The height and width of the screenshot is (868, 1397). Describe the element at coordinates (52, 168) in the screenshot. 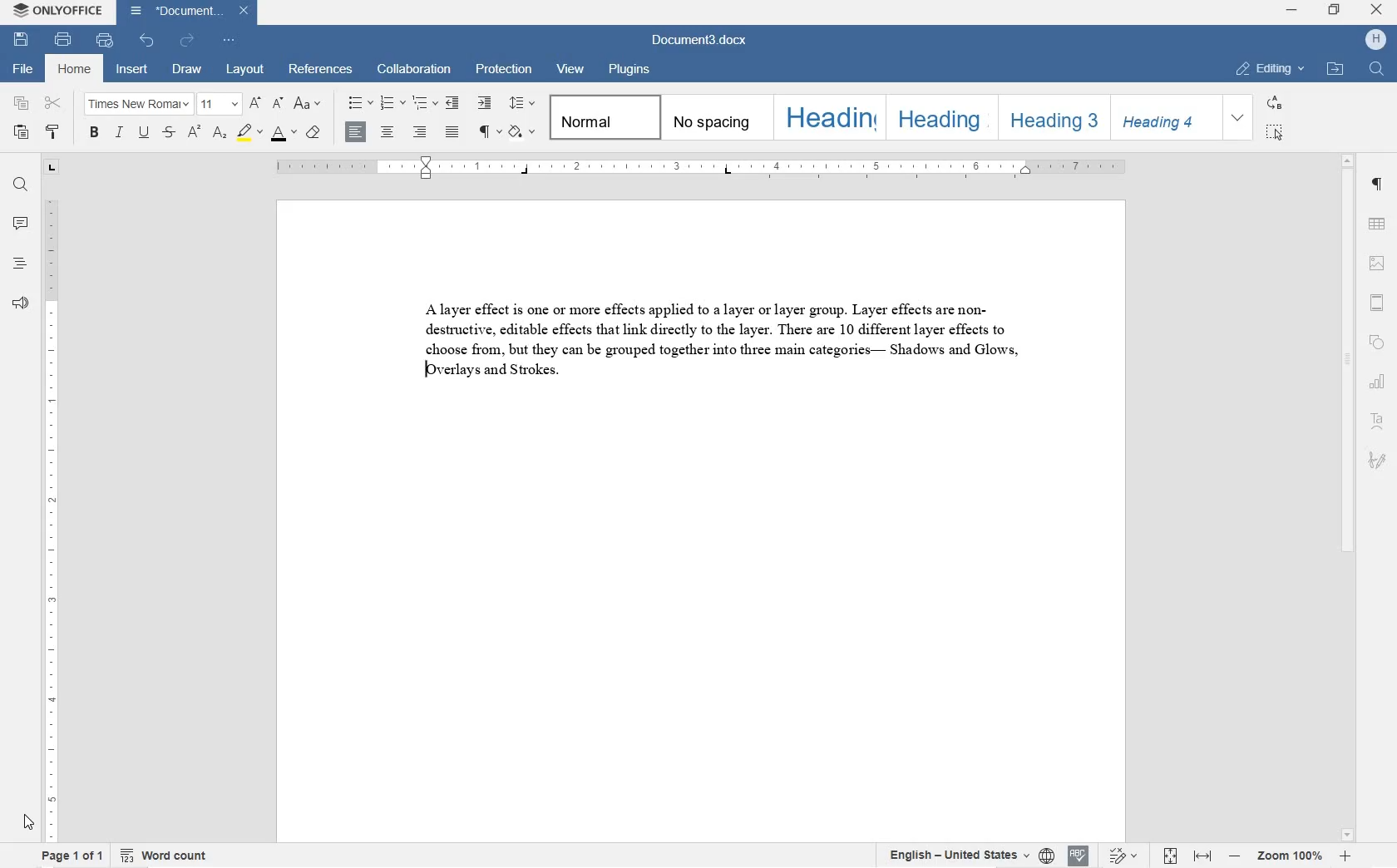

I see `tab` at that location.